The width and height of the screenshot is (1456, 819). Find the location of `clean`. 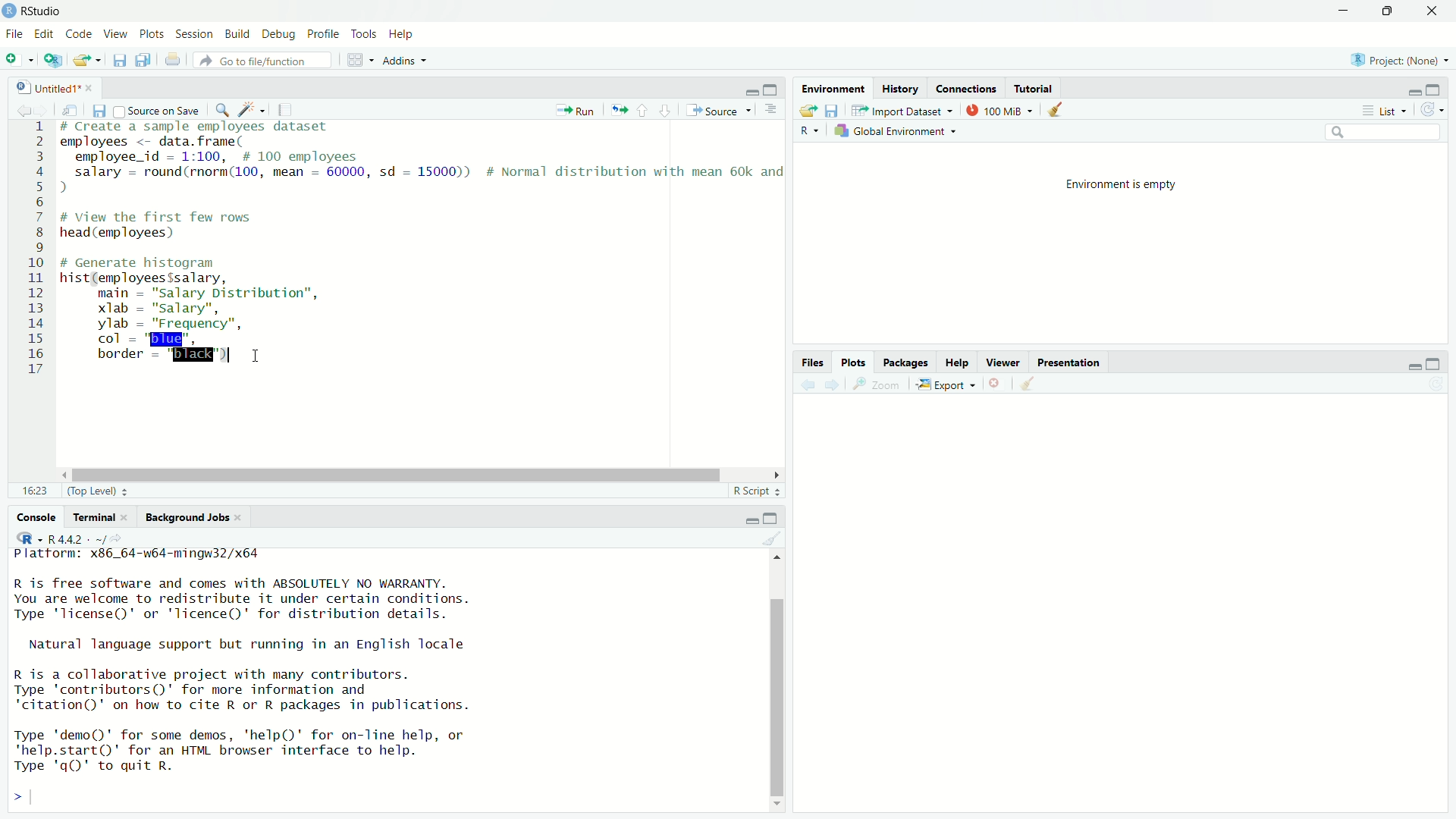

clean is located at coordinates (1031, 384).